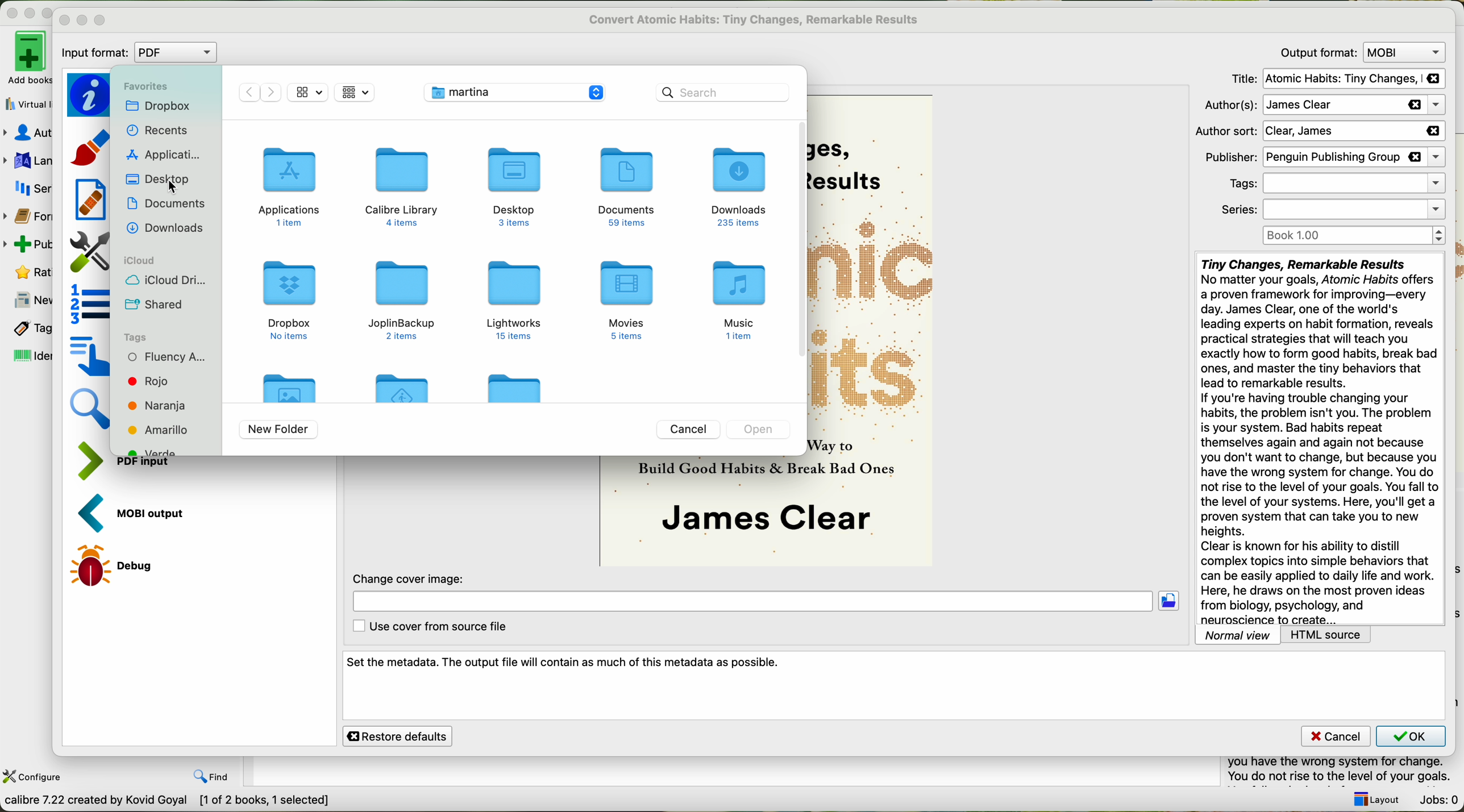 The height and width of the screenshot is (812, 1464). I want to click on shared, so click(157, 305).